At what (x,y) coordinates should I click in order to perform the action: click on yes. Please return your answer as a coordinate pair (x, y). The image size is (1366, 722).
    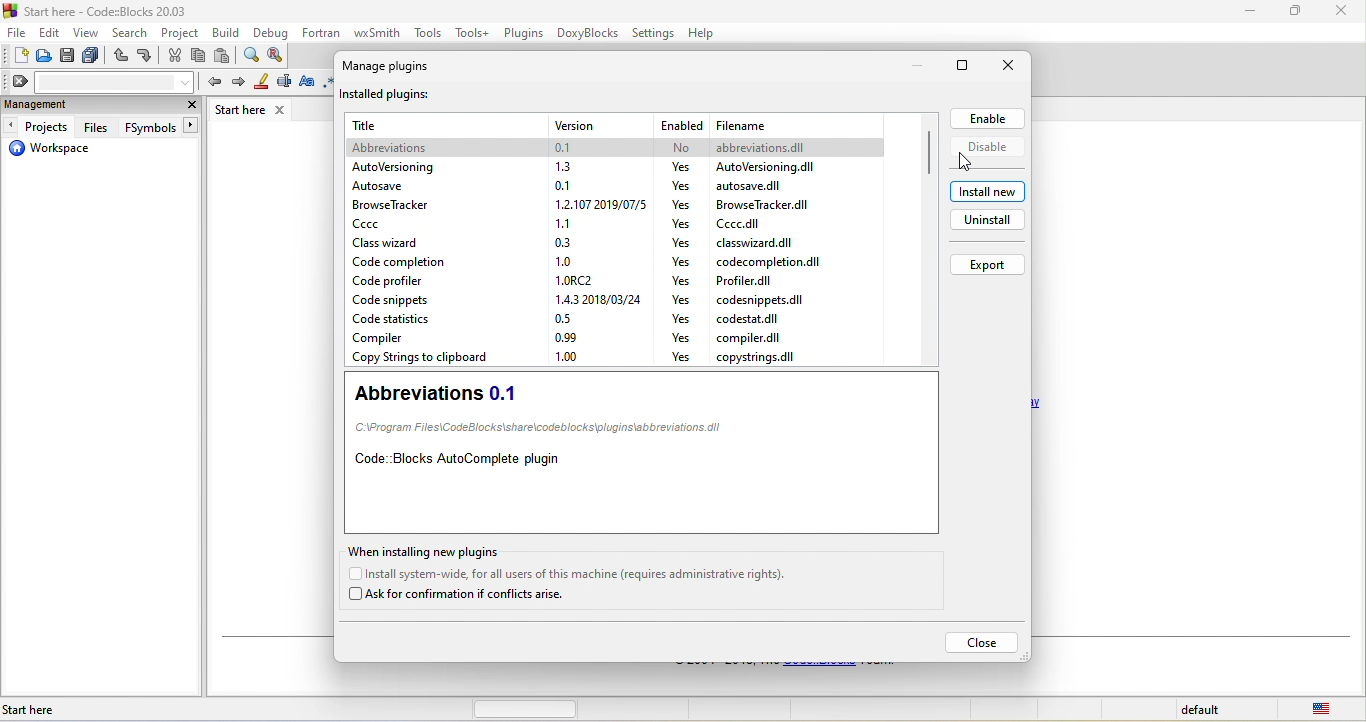
    Looking at the image, I should click on (681, 167).